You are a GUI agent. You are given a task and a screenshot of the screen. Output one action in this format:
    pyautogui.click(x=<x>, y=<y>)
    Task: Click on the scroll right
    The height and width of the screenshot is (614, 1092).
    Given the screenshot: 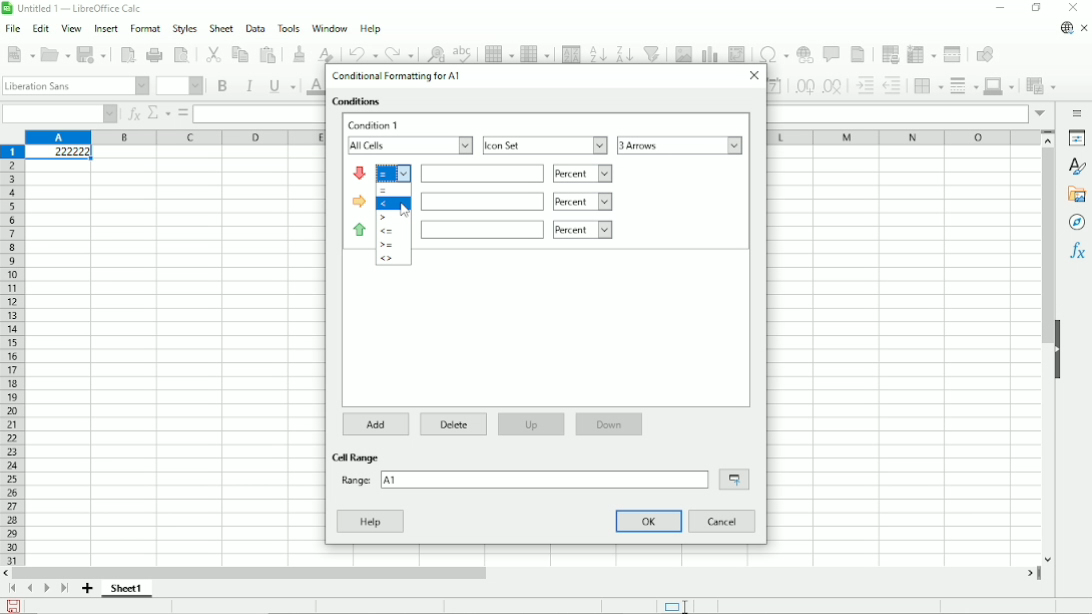 What is the action you would take?
    pyautogui.click(x=1030, y=572)
    